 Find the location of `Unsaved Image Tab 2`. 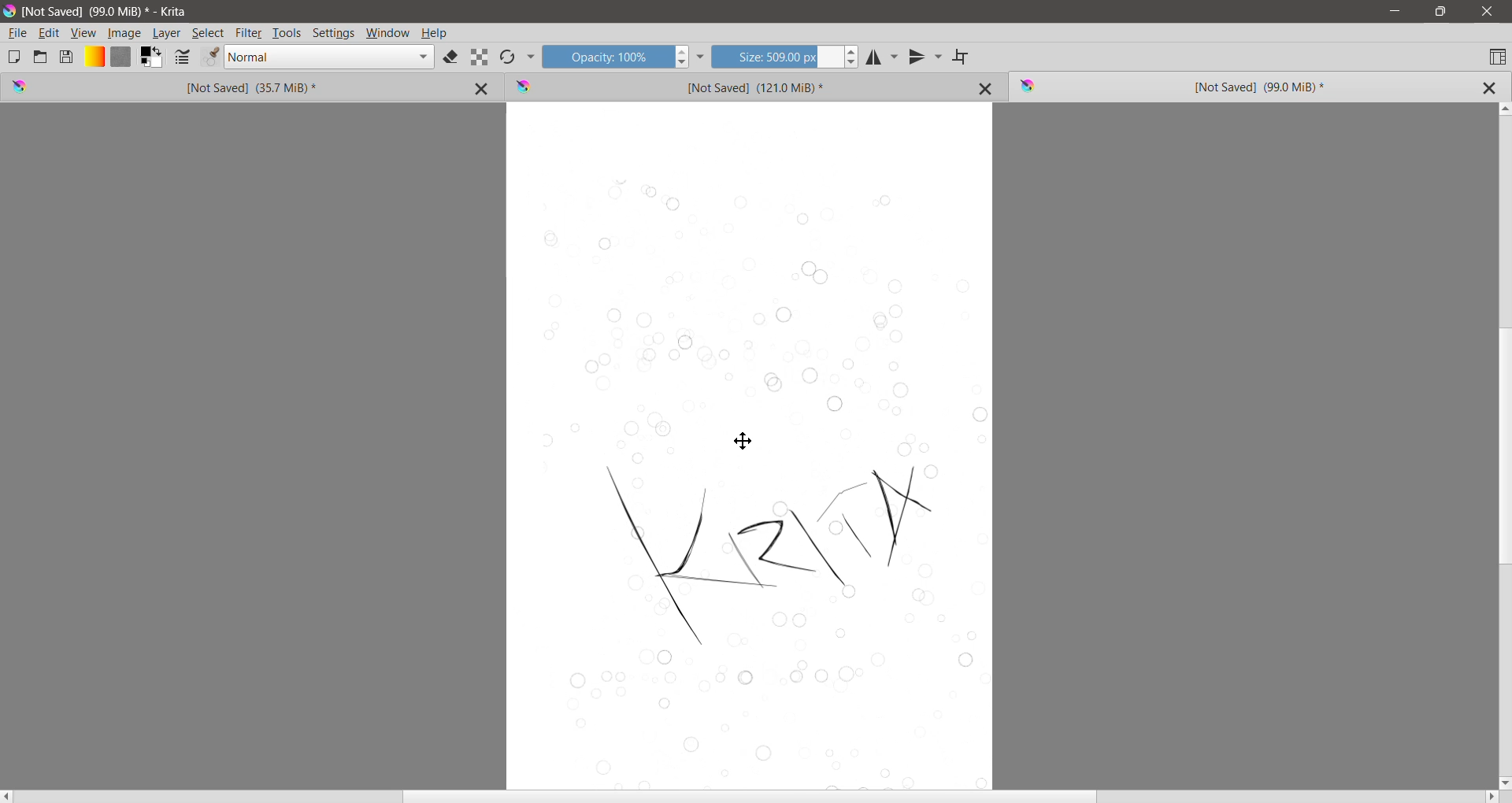

Unsaved Image Tab 2 is located at coordinates (730, 86).